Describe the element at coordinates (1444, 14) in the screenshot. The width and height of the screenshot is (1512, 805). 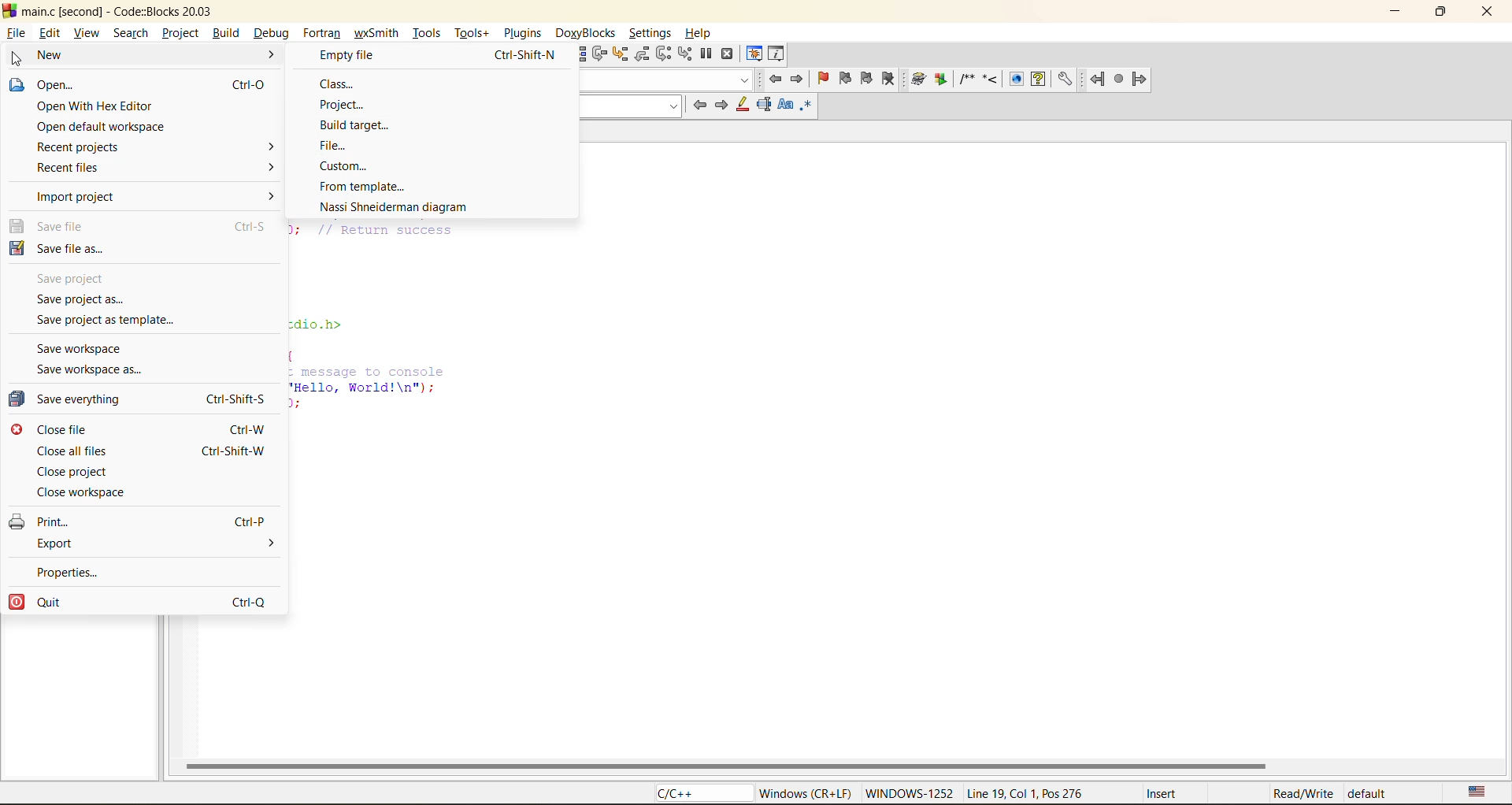
I see `maximize` at that location.